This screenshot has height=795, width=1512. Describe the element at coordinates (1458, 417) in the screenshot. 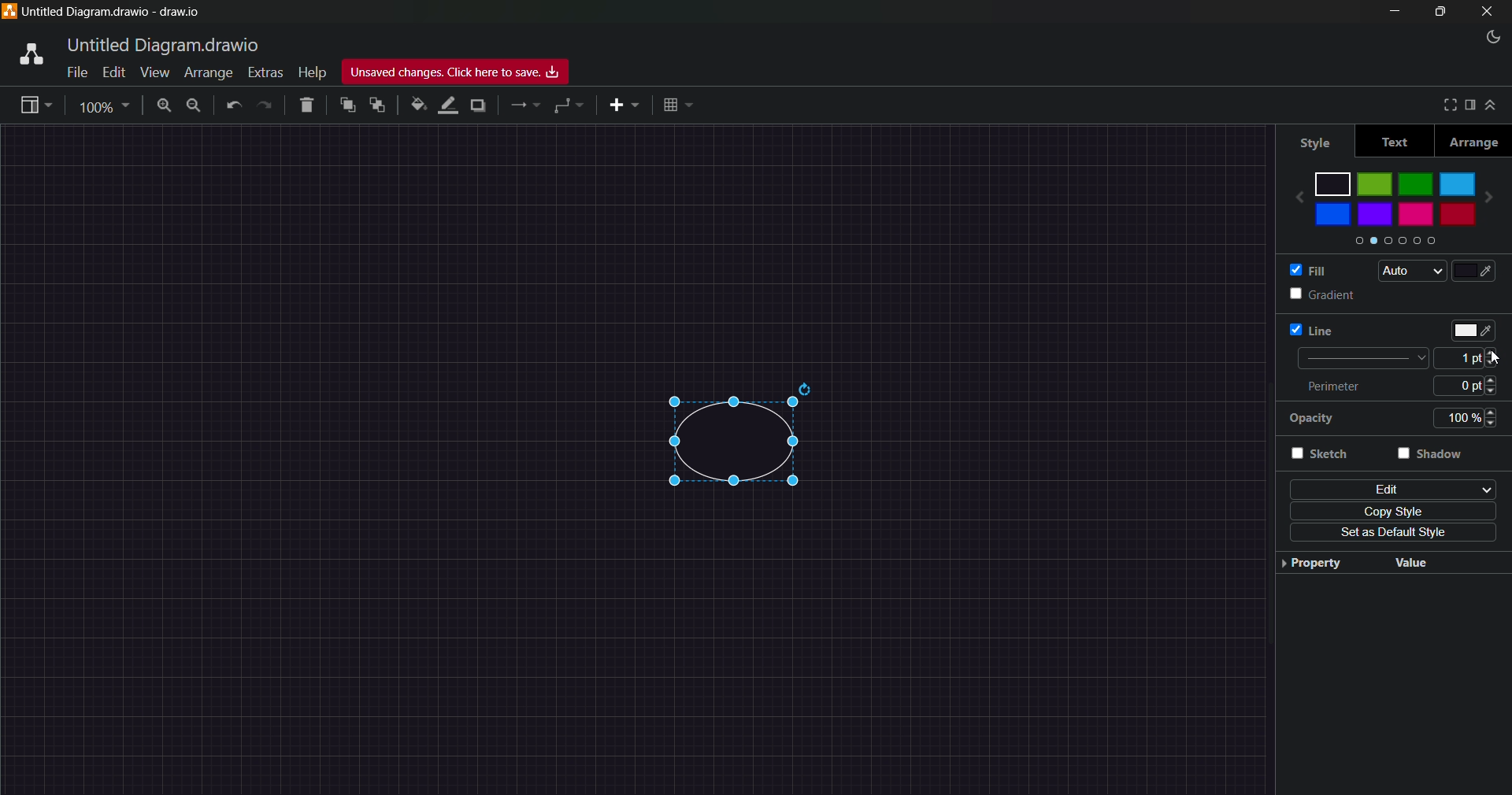

I see `current opacity percentage 100%` at that location.